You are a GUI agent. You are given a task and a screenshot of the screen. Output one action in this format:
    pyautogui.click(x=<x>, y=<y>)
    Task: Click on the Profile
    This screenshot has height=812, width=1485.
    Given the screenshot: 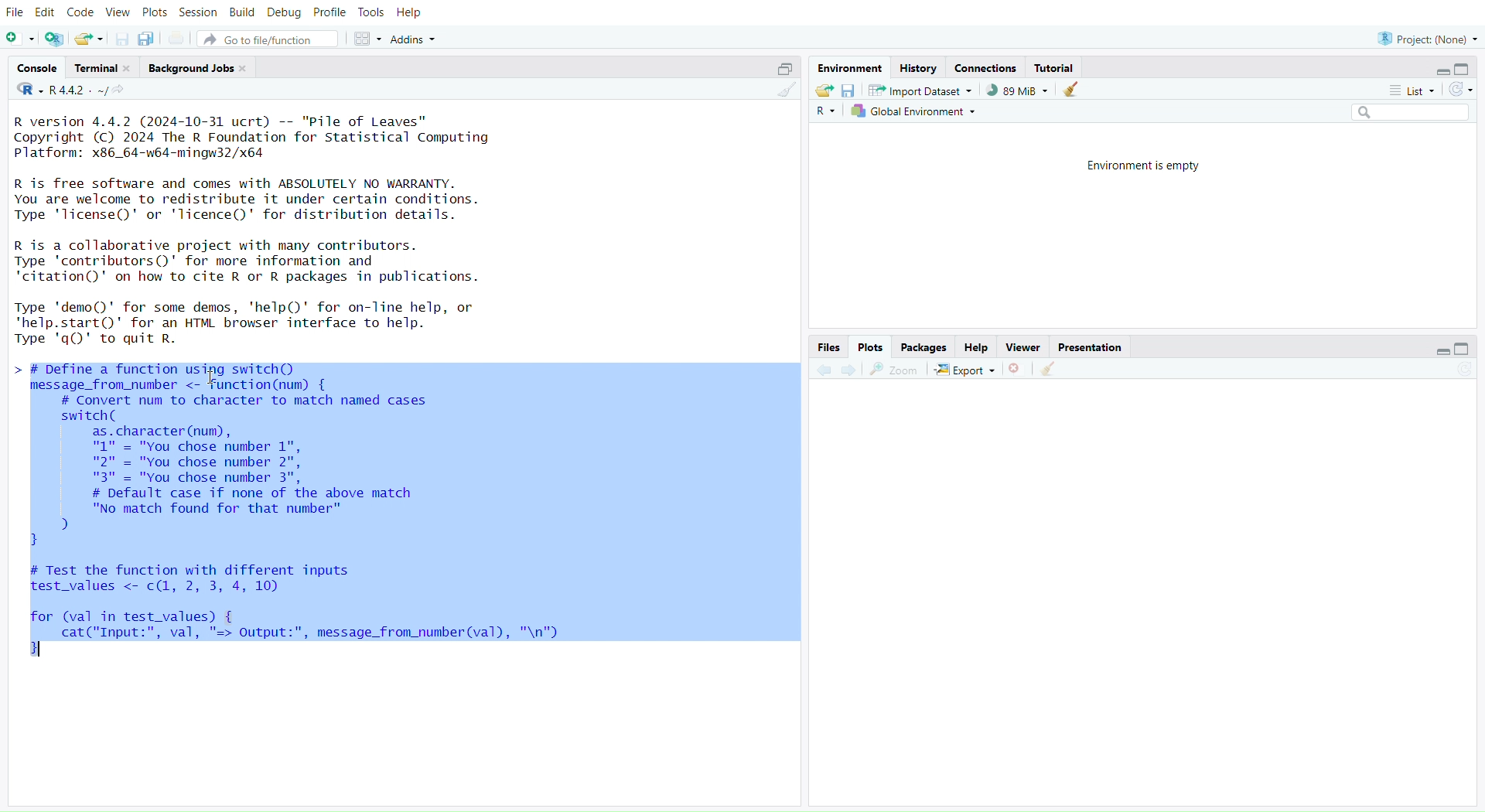 What is the action you would take?
    pyautogui.click(x=329, y=13)
    